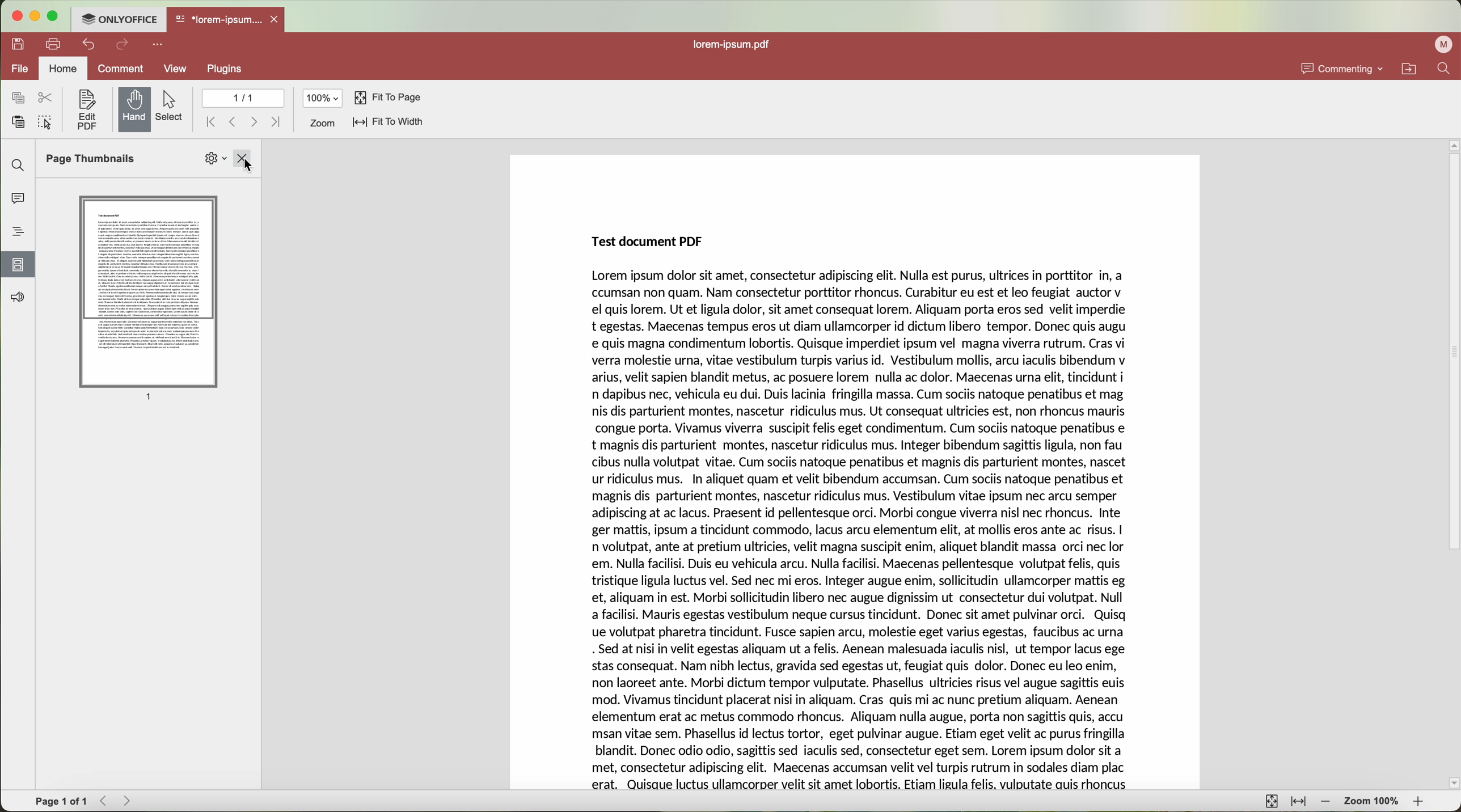 Image resolution: width=1461 pixels, height=812 pixels. Describe the element at coordinates (15, 298) in the screenshot. I see `feedback and support` at that location.